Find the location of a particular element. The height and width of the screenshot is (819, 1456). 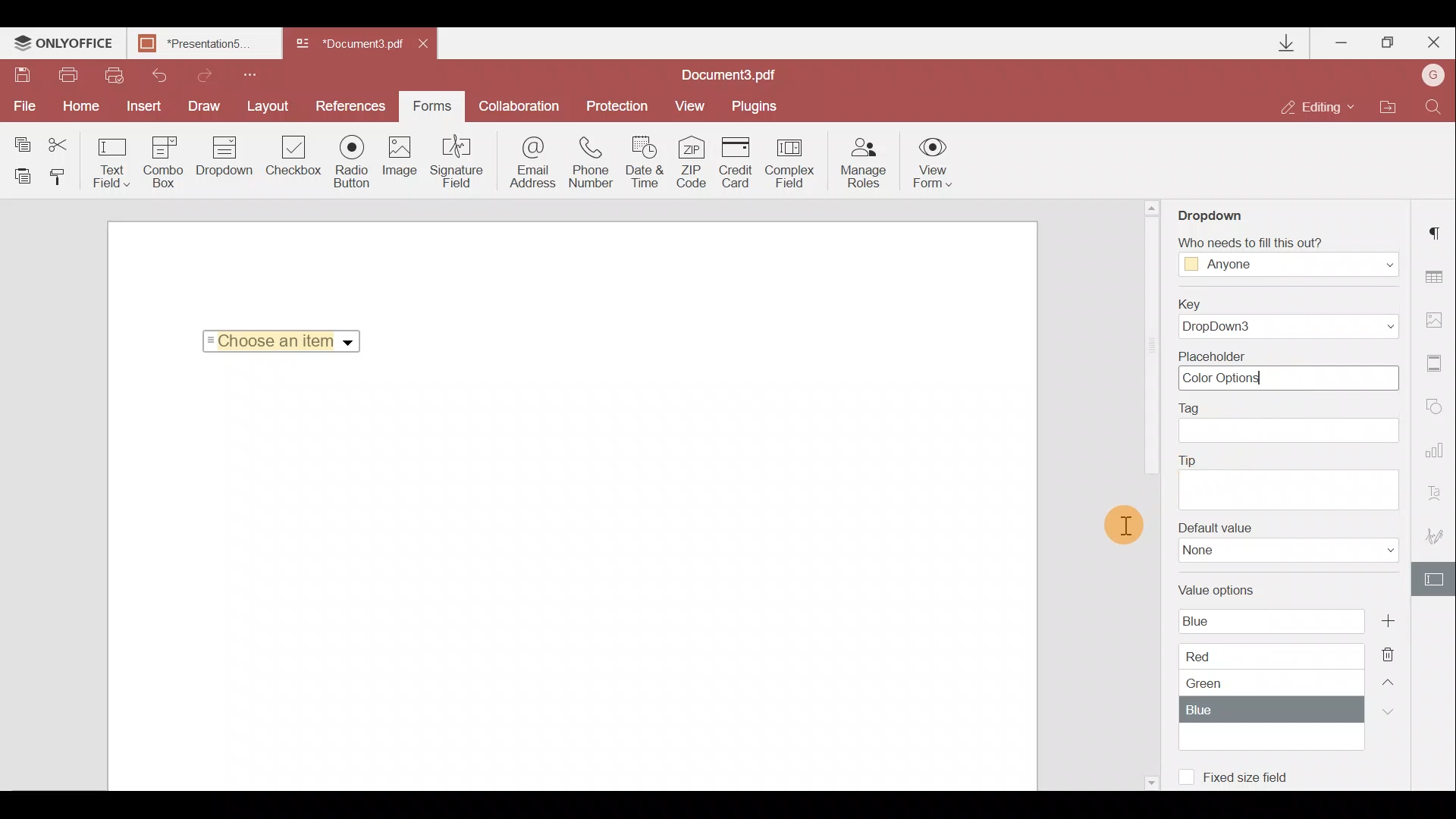

Insert is located at coordinates (147, 106).